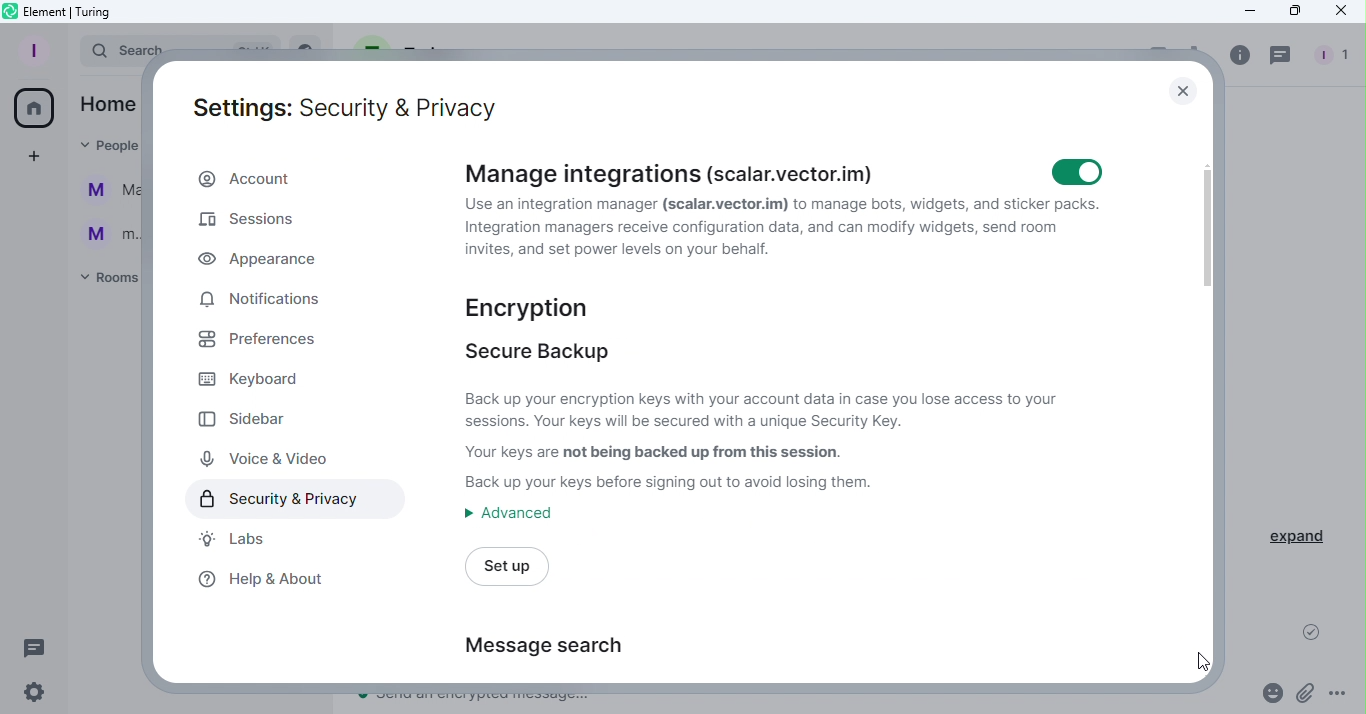 This screenshot has height=714, width=1366. Describe the element at coordinates (107, 193) in the screenshot. I see `Martina Tornello` at that location.